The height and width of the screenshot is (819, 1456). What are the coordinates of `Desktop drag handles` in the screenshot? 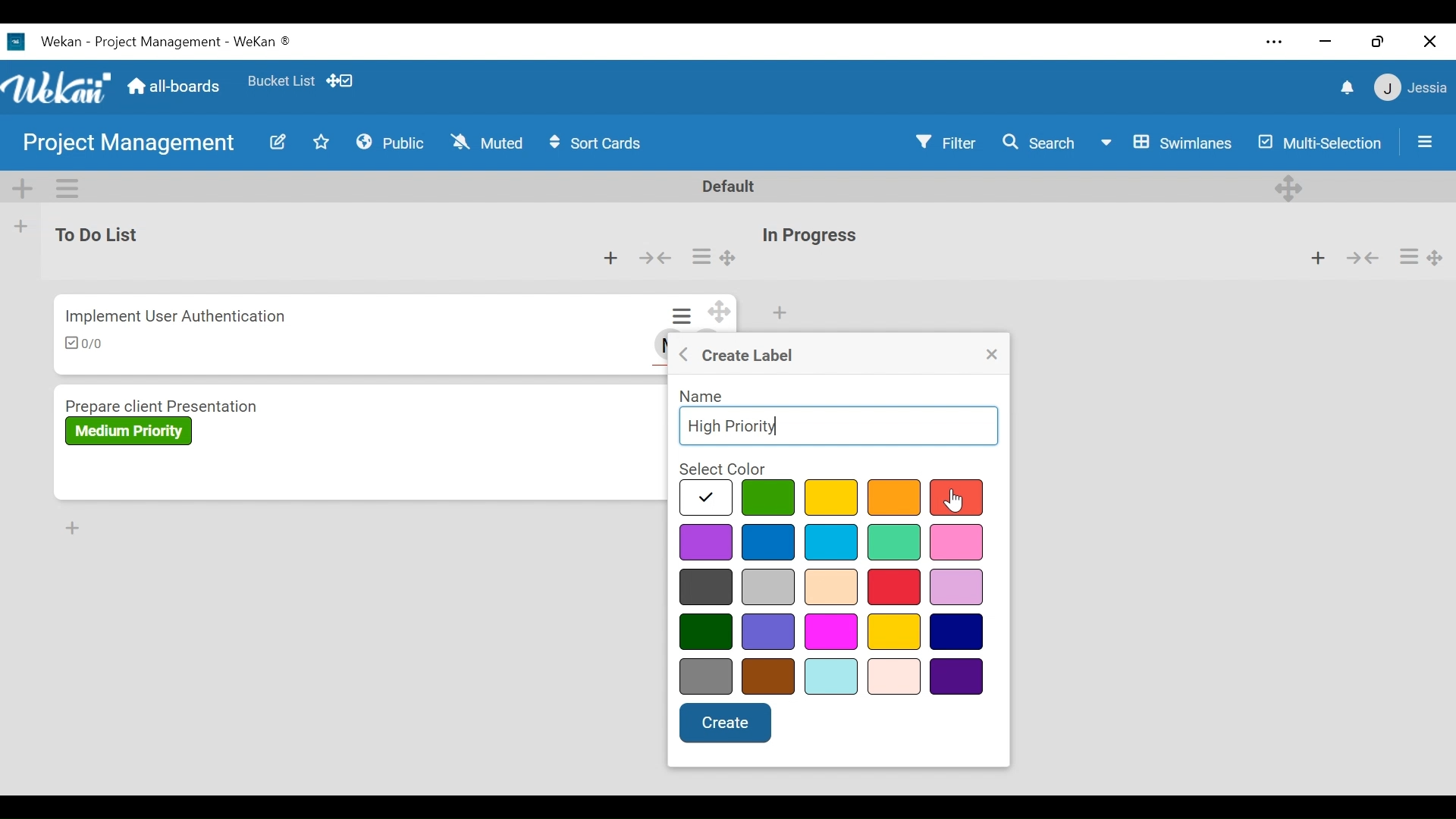 It's located at (1439, 257).